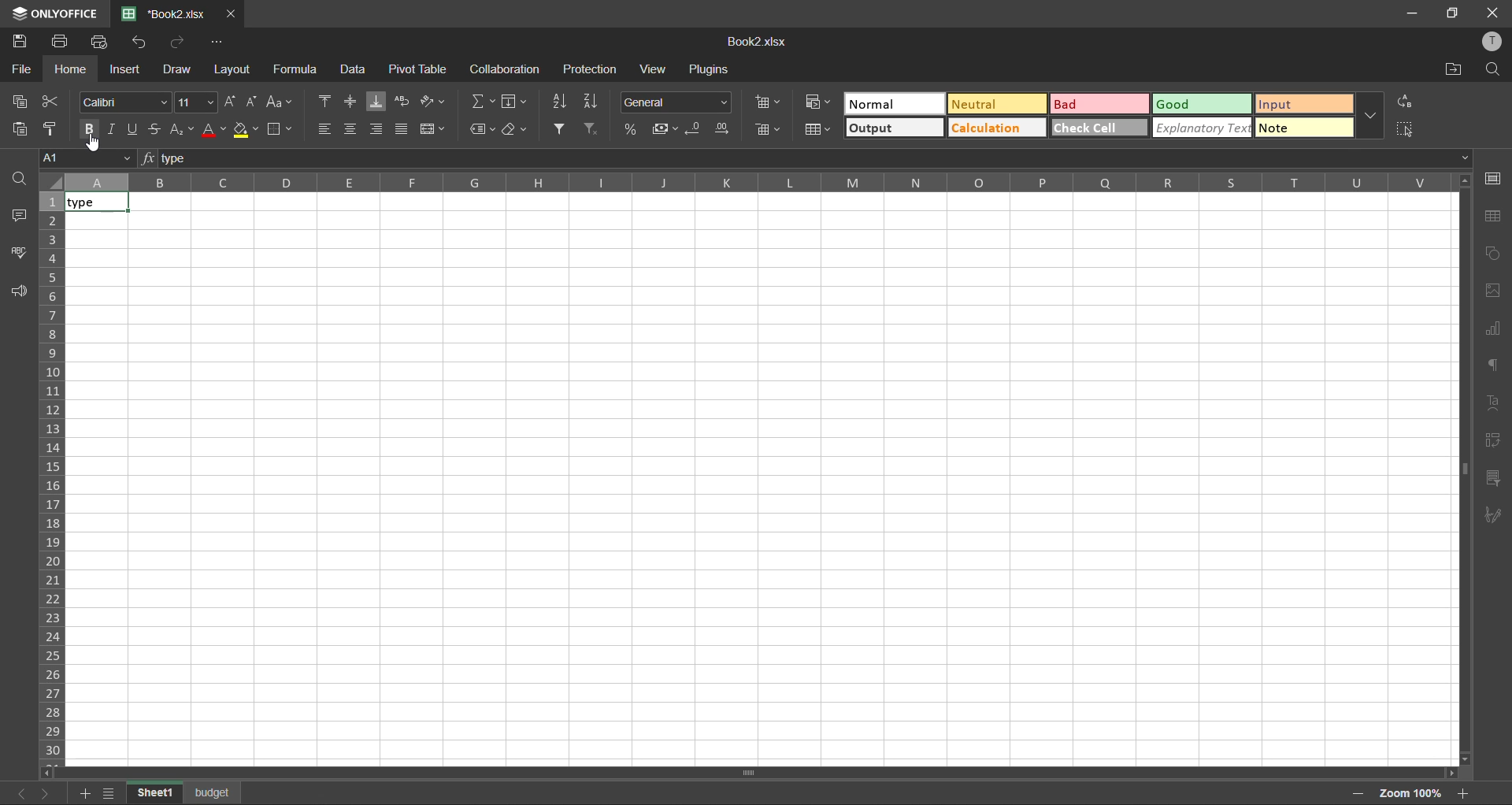 The image size is (1512, 805). I want to click on find, so click(20, 178).